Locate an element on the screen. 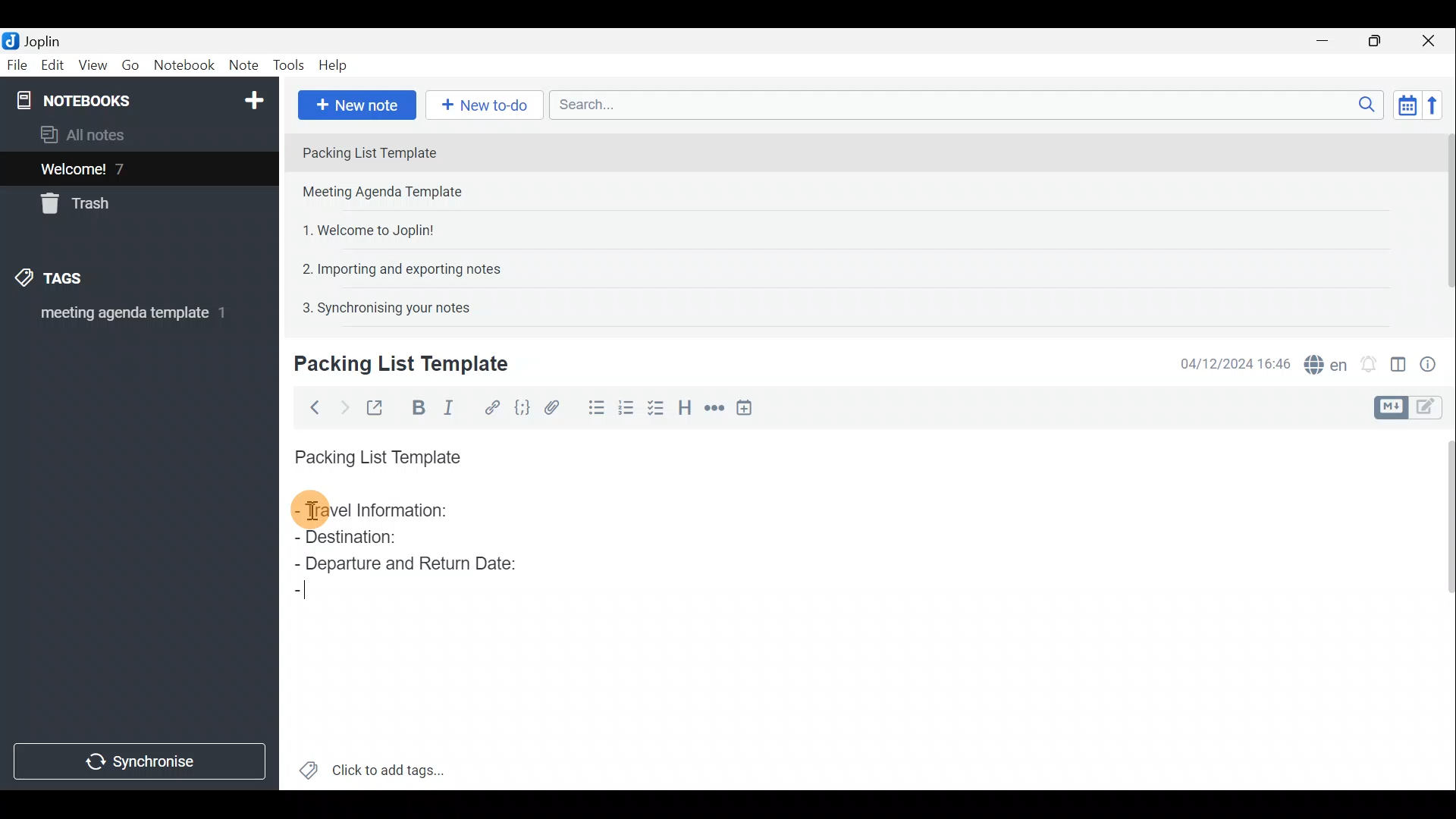 The image size is (1456, 819). New to-do is located at coordinates (485, 105).